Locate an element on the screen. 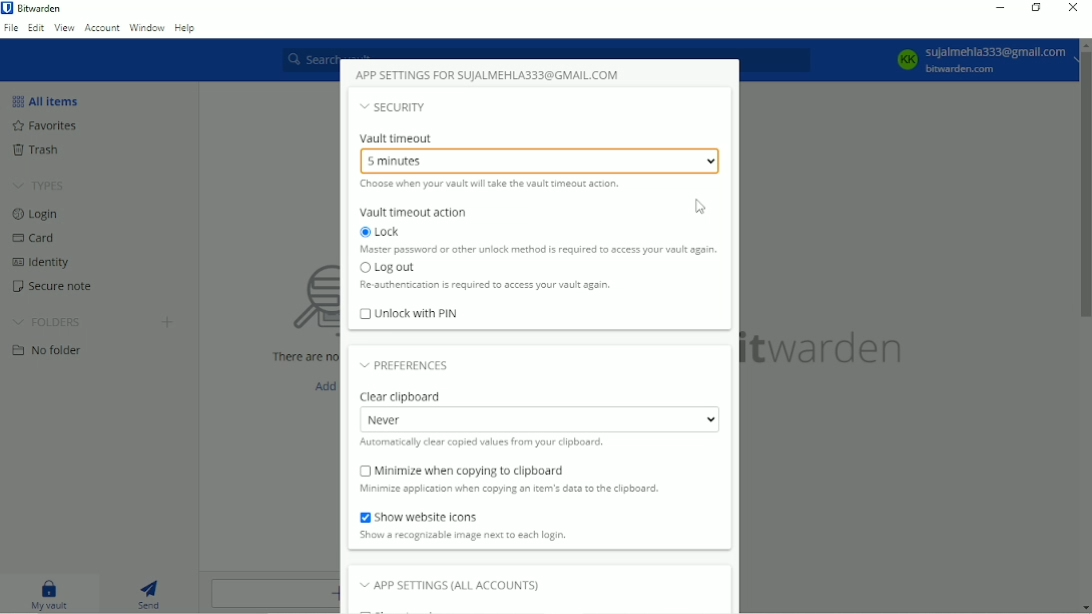  Card is located at coordinates (37, 239).